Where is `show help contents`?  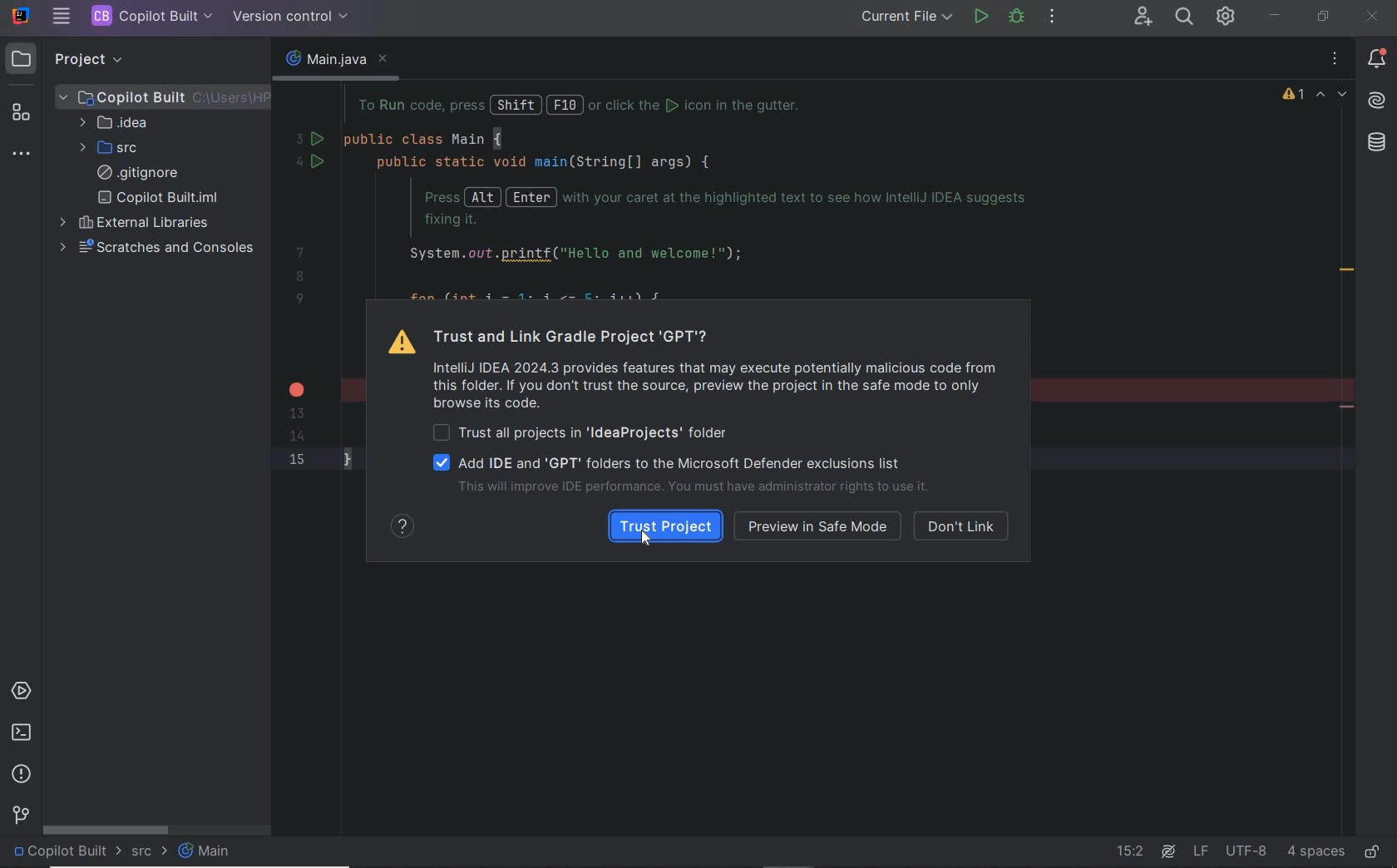 show help contents is located at coordinates (400, 530).